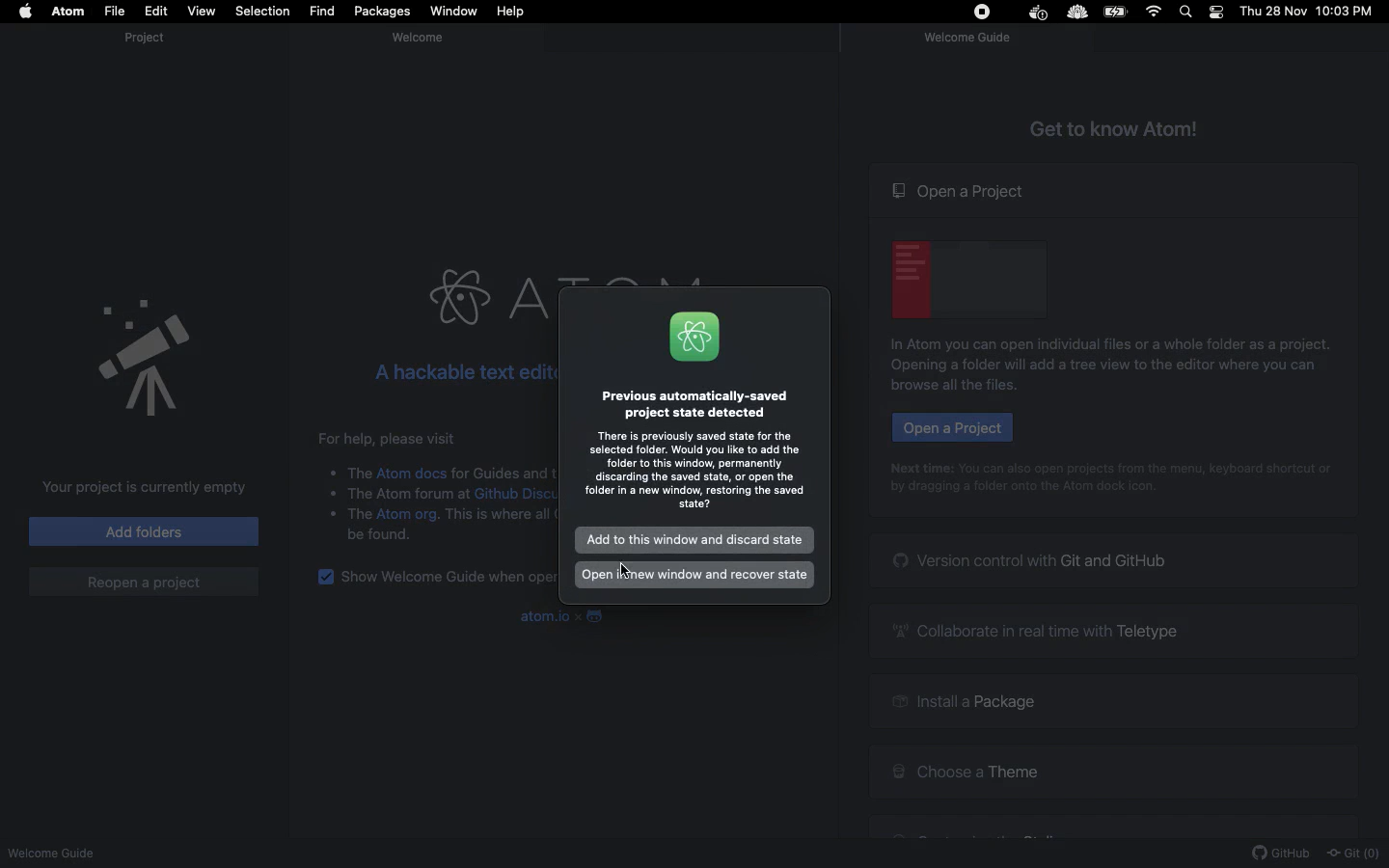  I want to click on Get to know Atom, so click(1115, 126).